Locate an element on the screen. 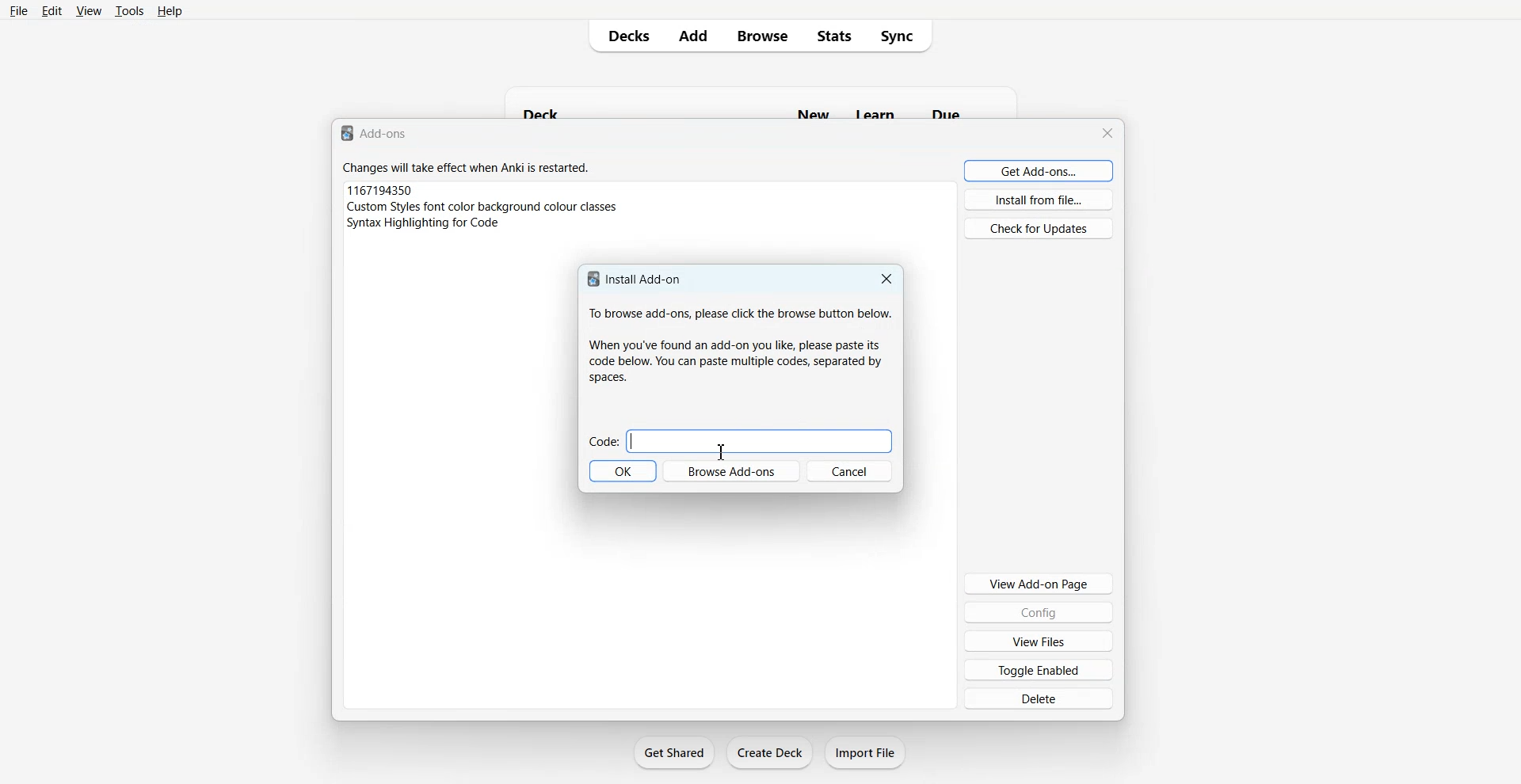  Add is located at coordinates (694, 36).